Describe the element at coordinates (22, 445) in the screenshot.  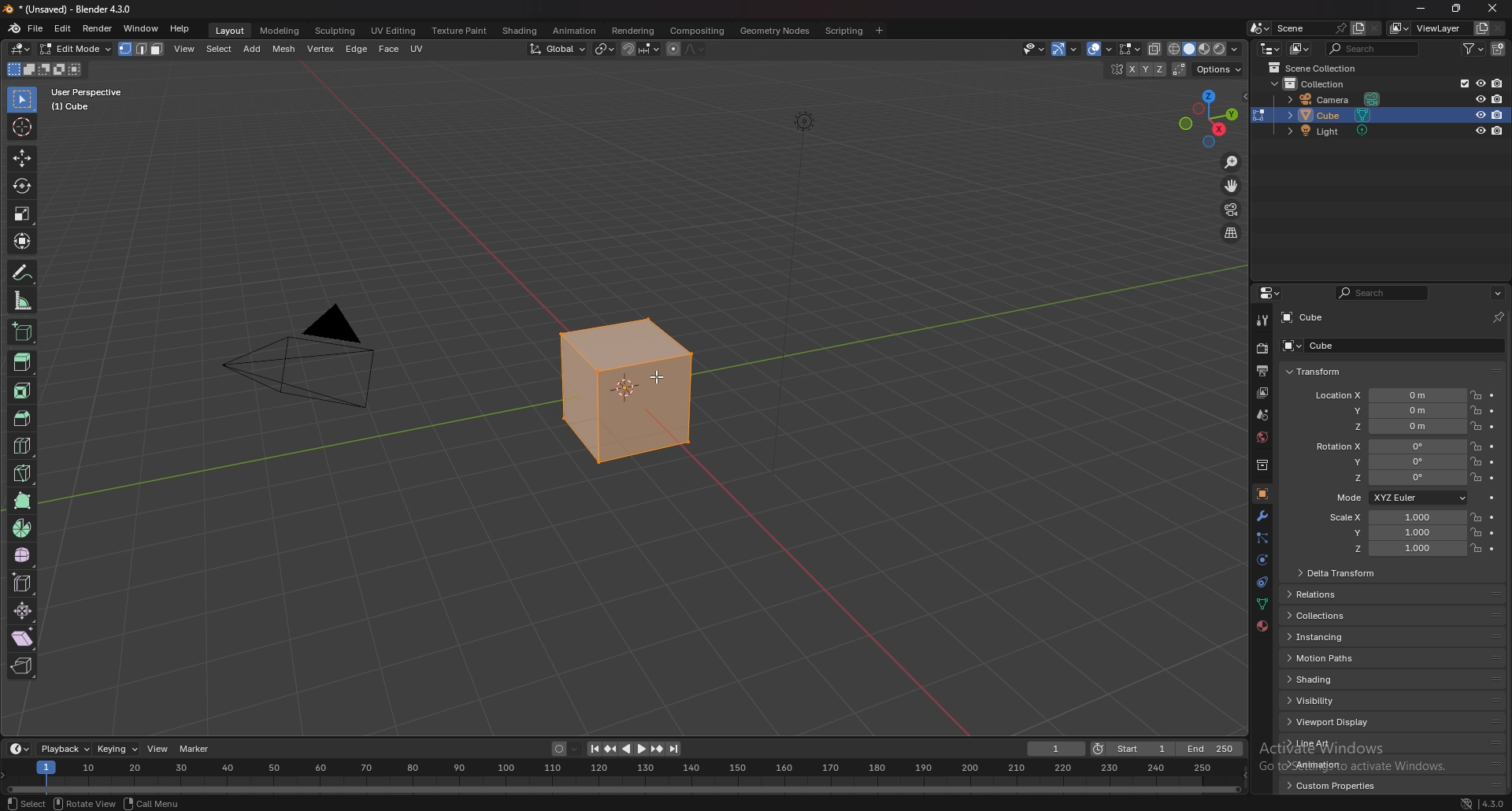
I see `loop cut` at that location.